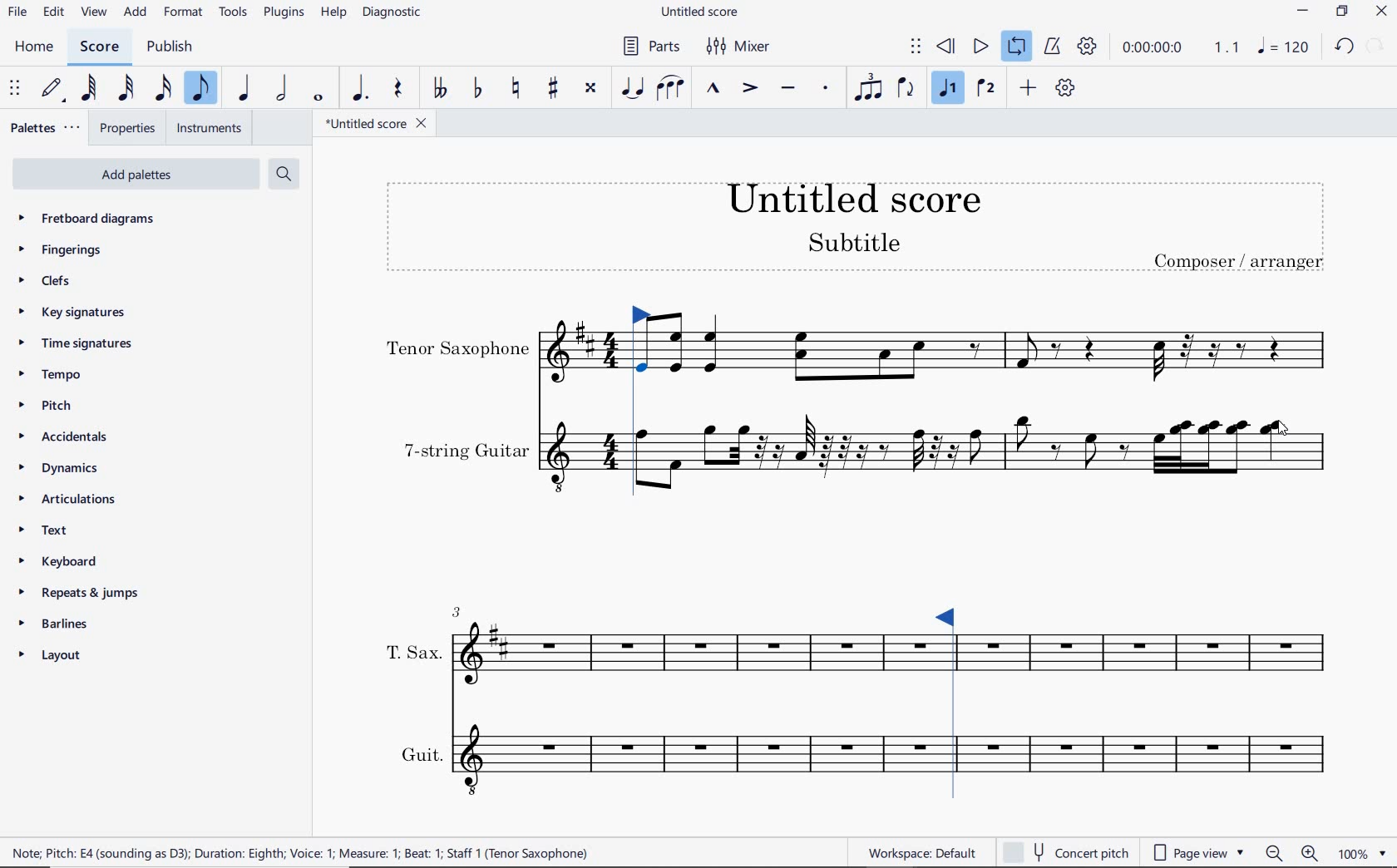 Image resolution: width=1397 pixels, height=868 pixels. I want to click on ZOOM FACTOR, so click(1364, 856).